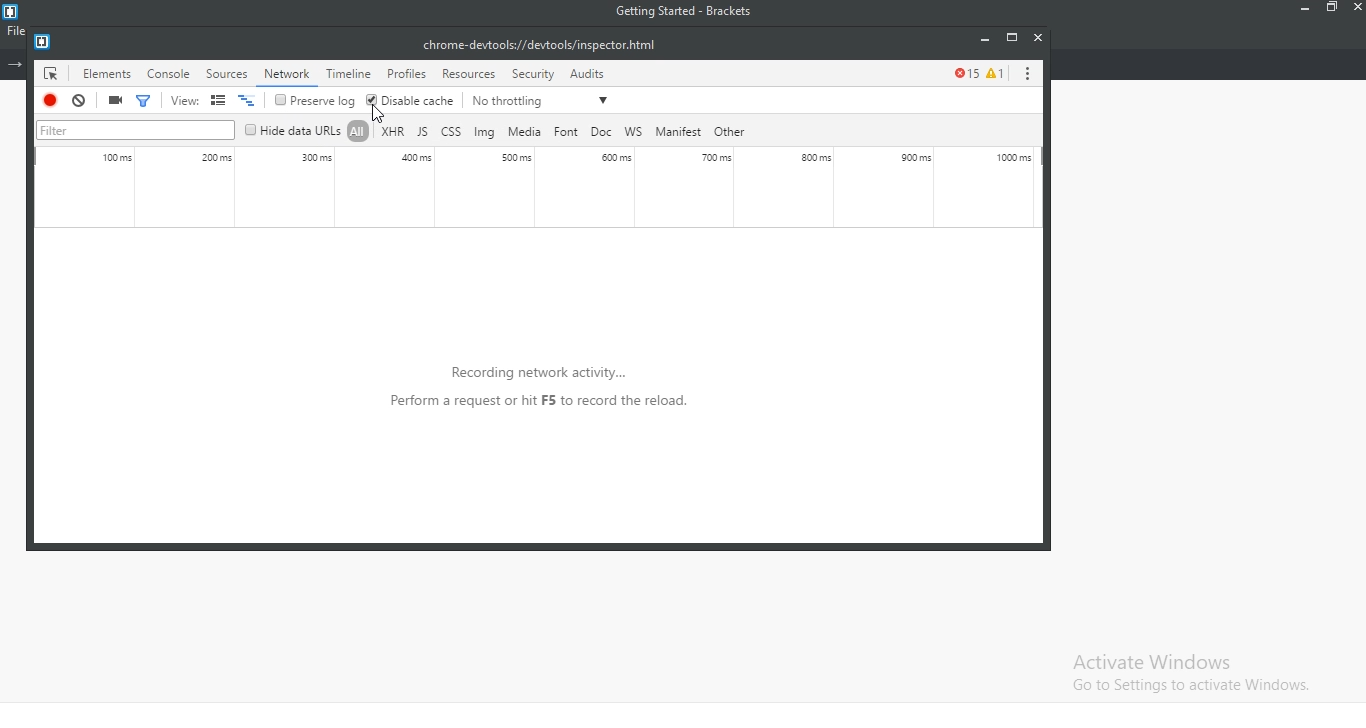 This screenshot has width=1366, height=728. What do you see at coordinates (372, 99) in the screenshot?
I see `ticked` at bounding box center [372, 99].